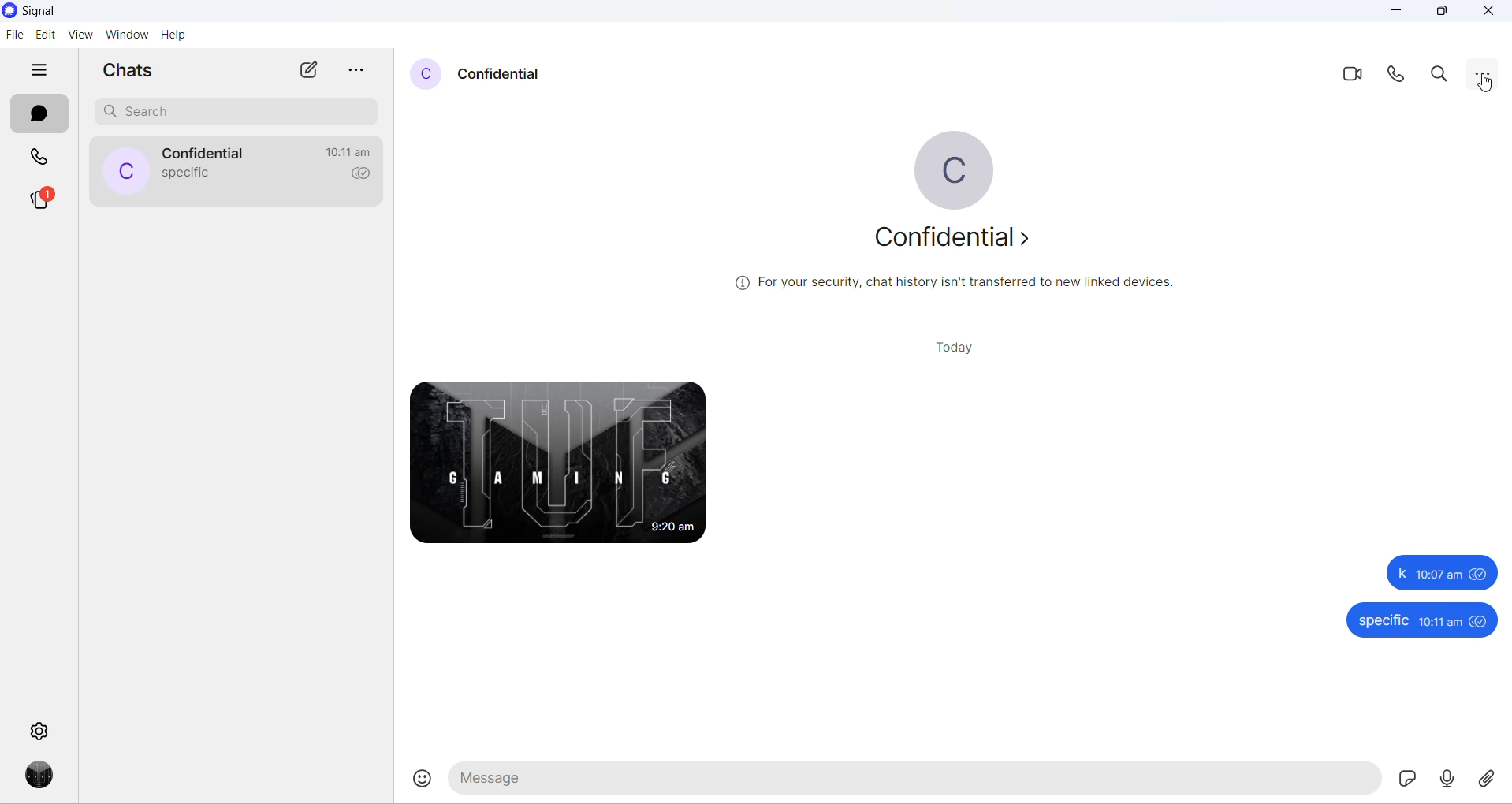 Image resolution: width=1512 pixels, height=804 pixels. I want to click on specific, so click(1384, 620).